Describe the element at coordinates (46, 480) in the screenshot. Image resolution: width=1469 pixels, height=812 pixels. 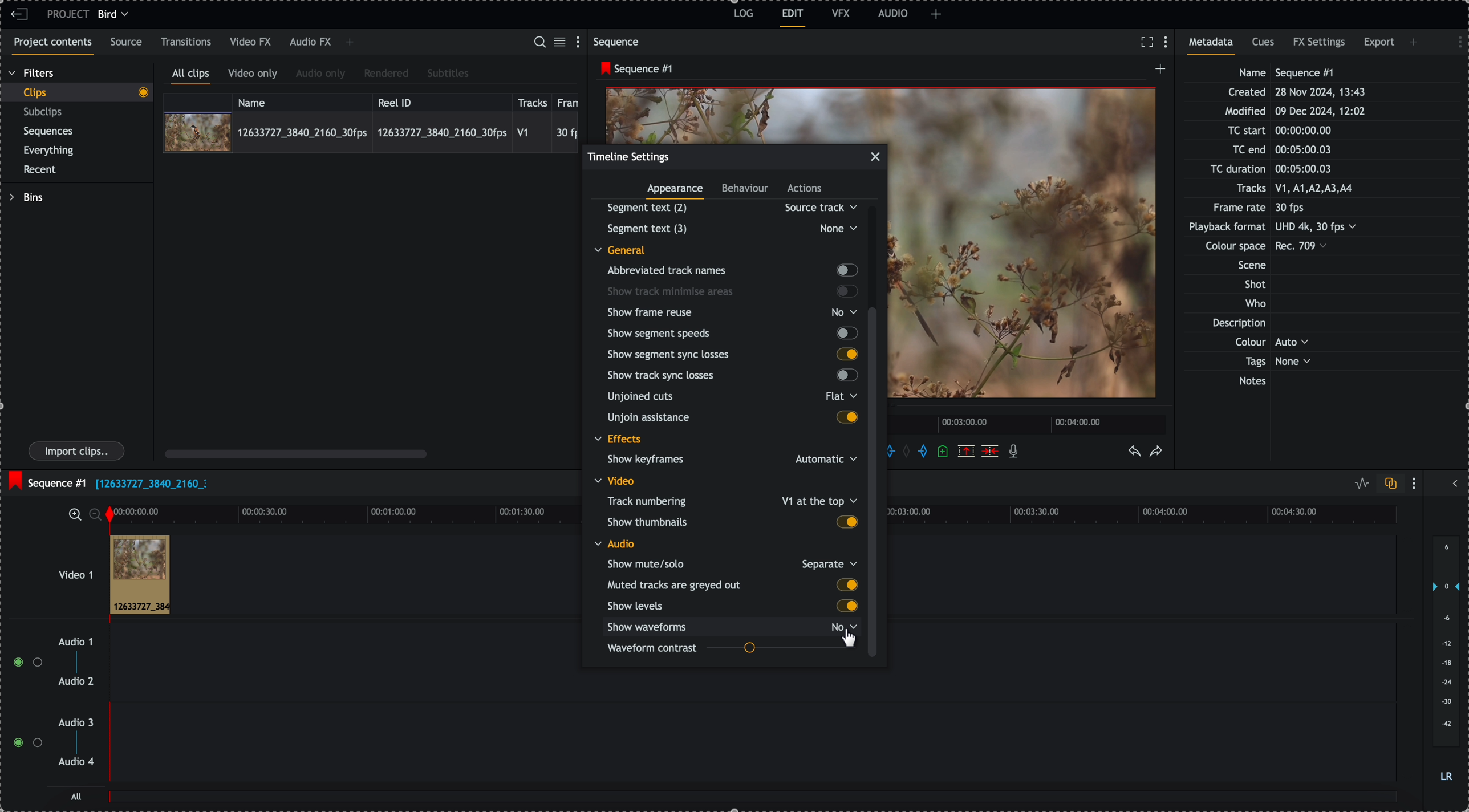
I see `sequence #1` at that location.